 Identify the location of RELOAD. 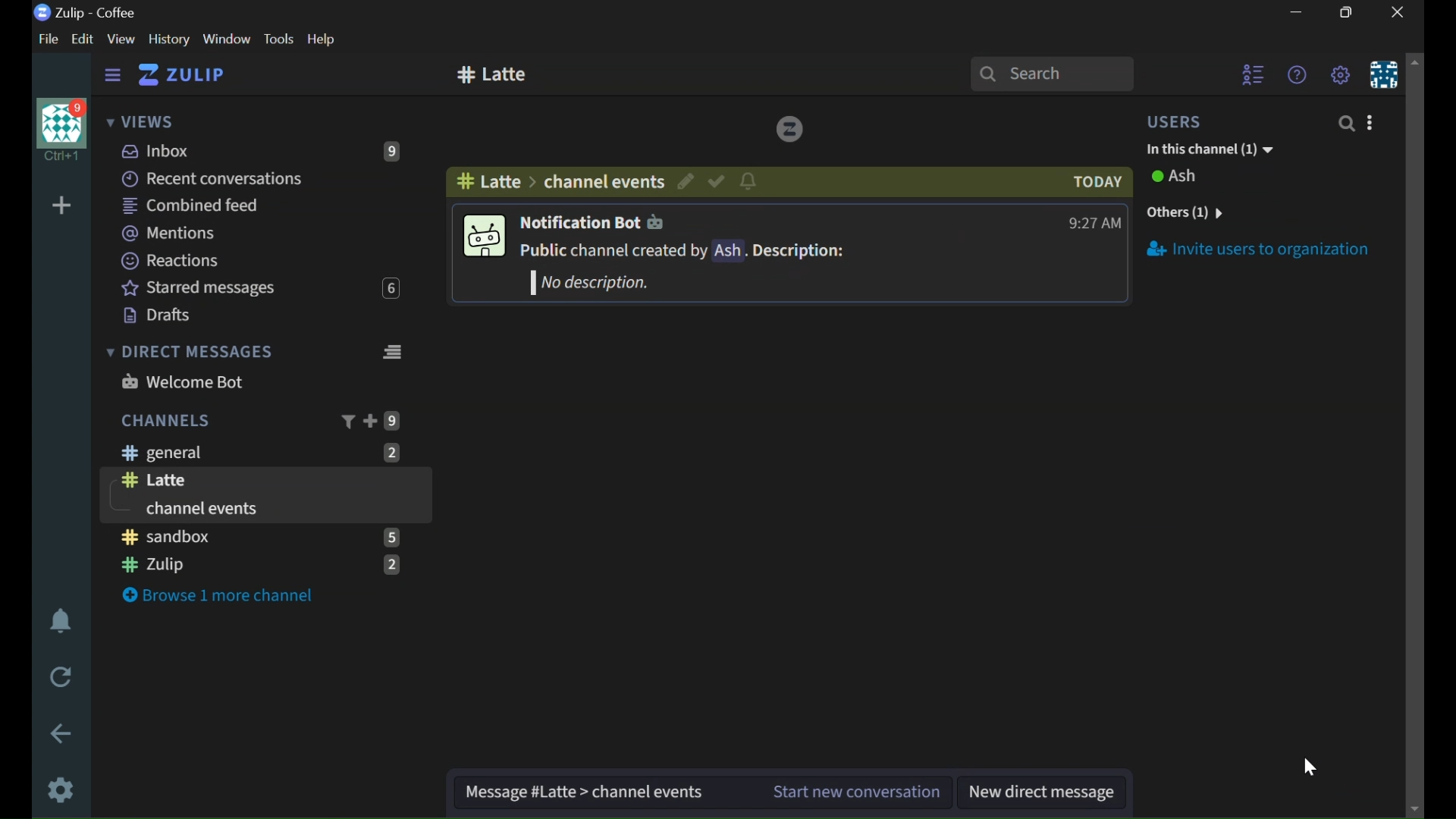
(63, 675).